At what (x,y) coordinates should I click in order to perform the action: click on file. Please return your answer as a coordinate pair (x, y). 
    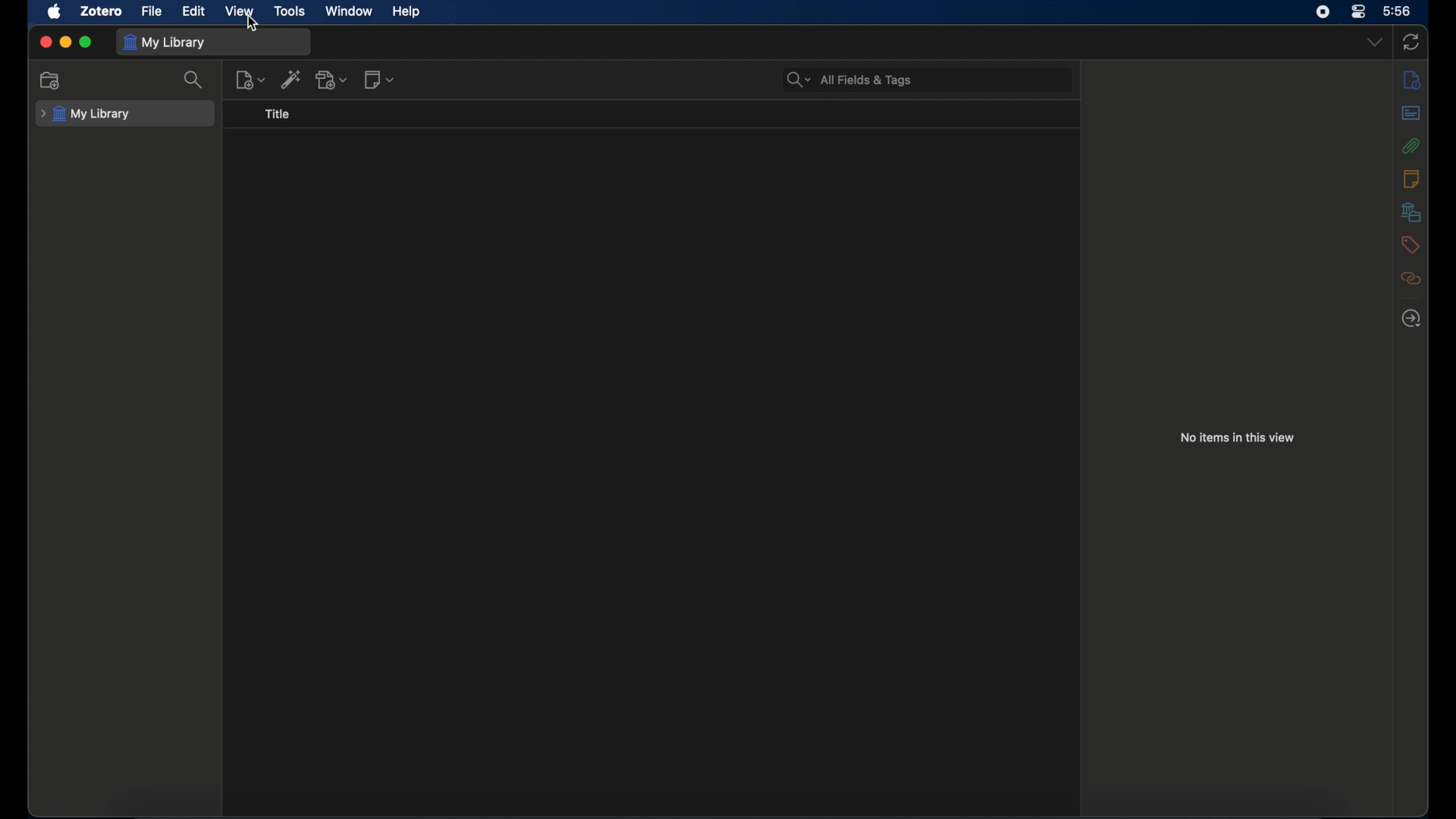
    Looking at the image, I should click on (151, 11).